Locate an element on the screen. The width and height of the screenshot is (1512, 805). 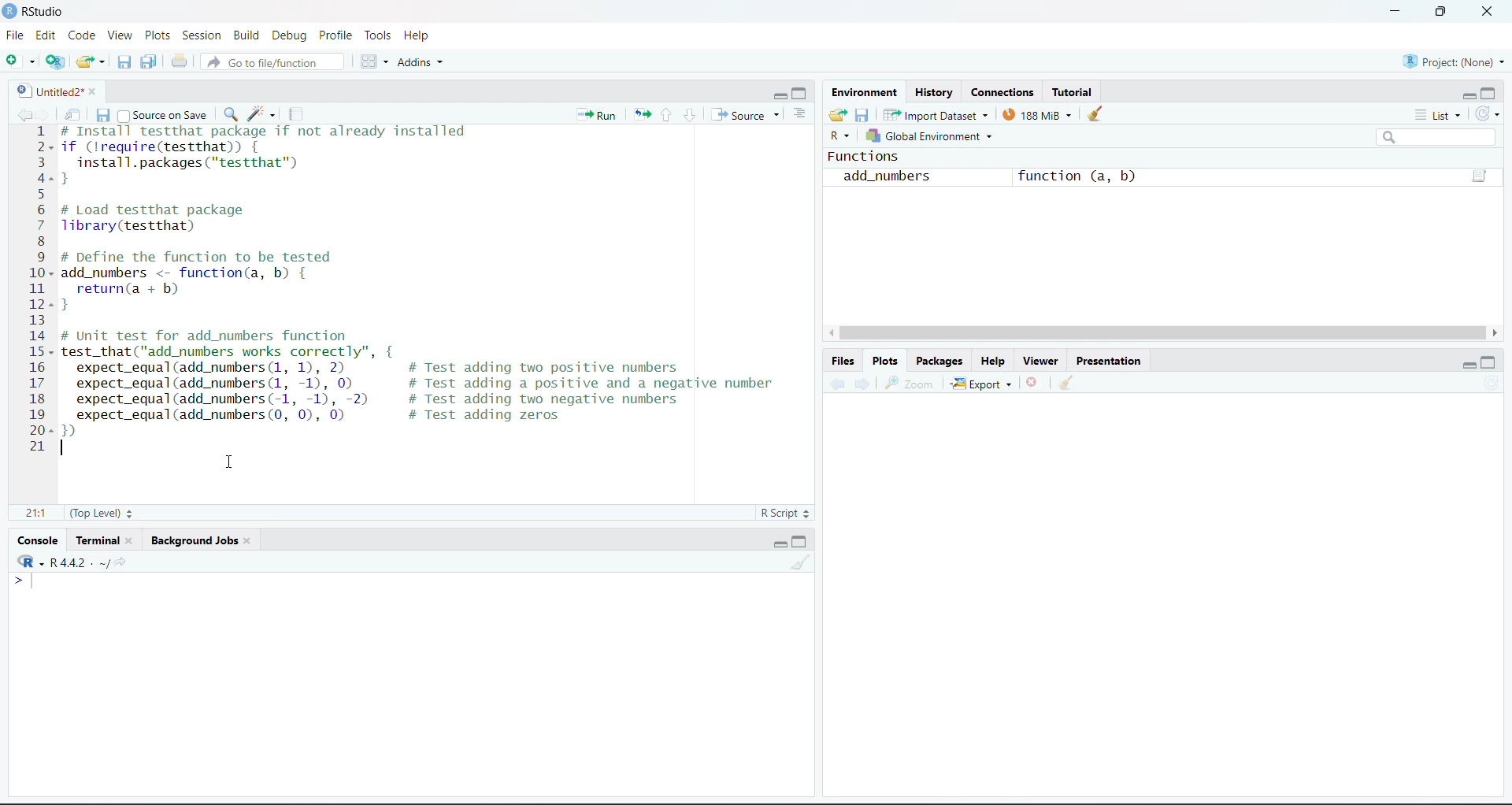
untitled2* is located at coordinates (47, 91).